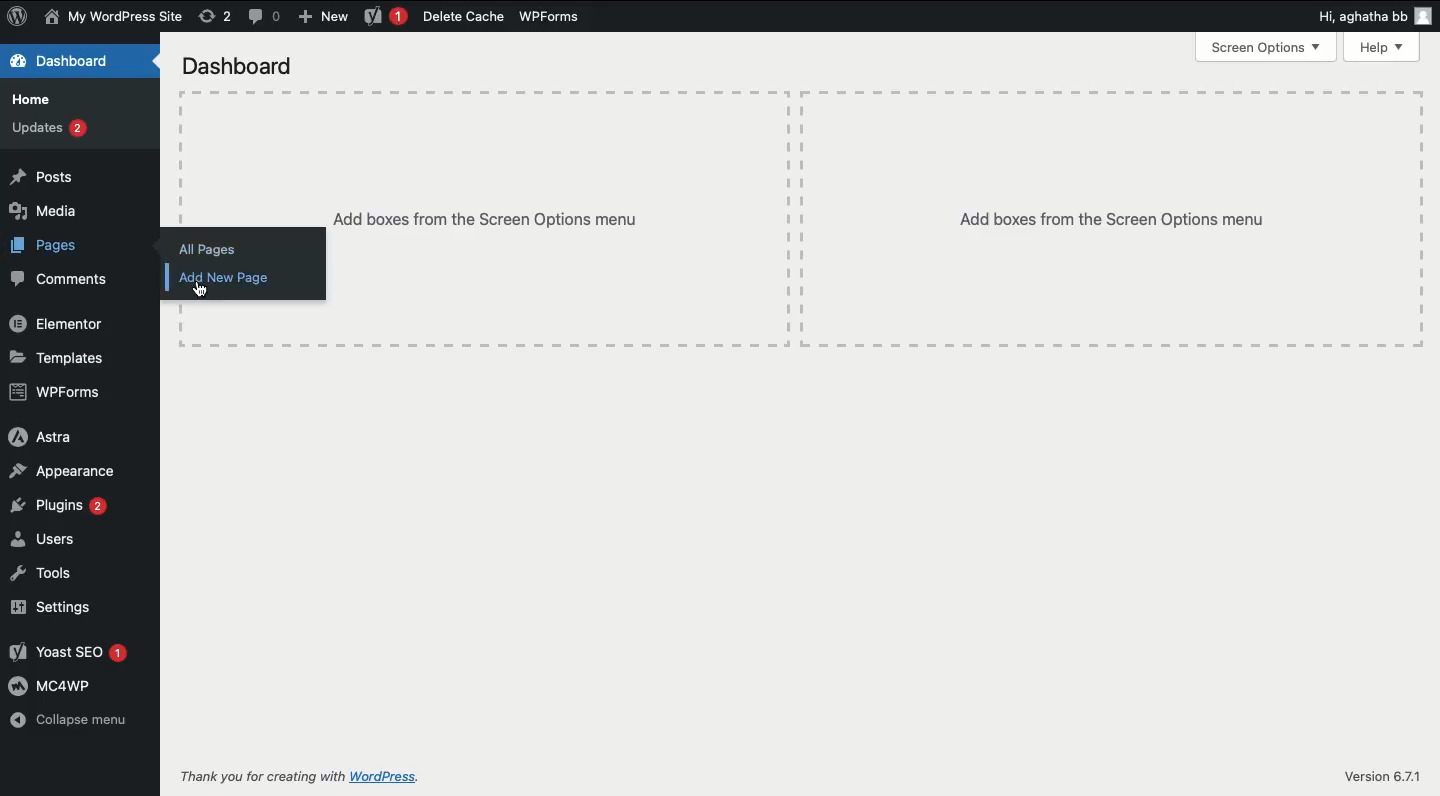  Describe the element at coordinates (1379, 15) in the screenshot. I see `Hi, agatha bb` at that location.